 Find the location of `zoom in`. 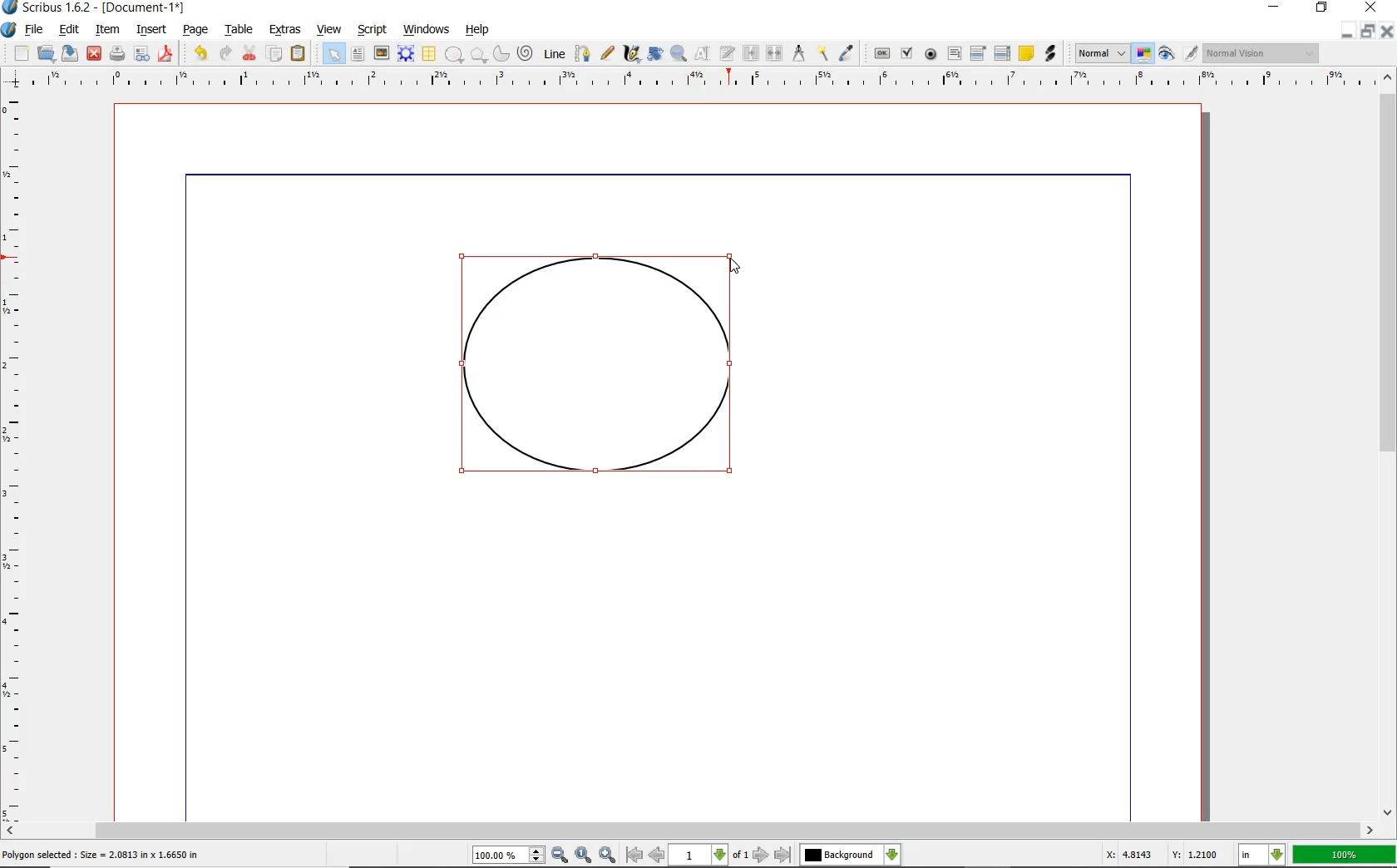

zoom in is located at coordinates (560, 856).